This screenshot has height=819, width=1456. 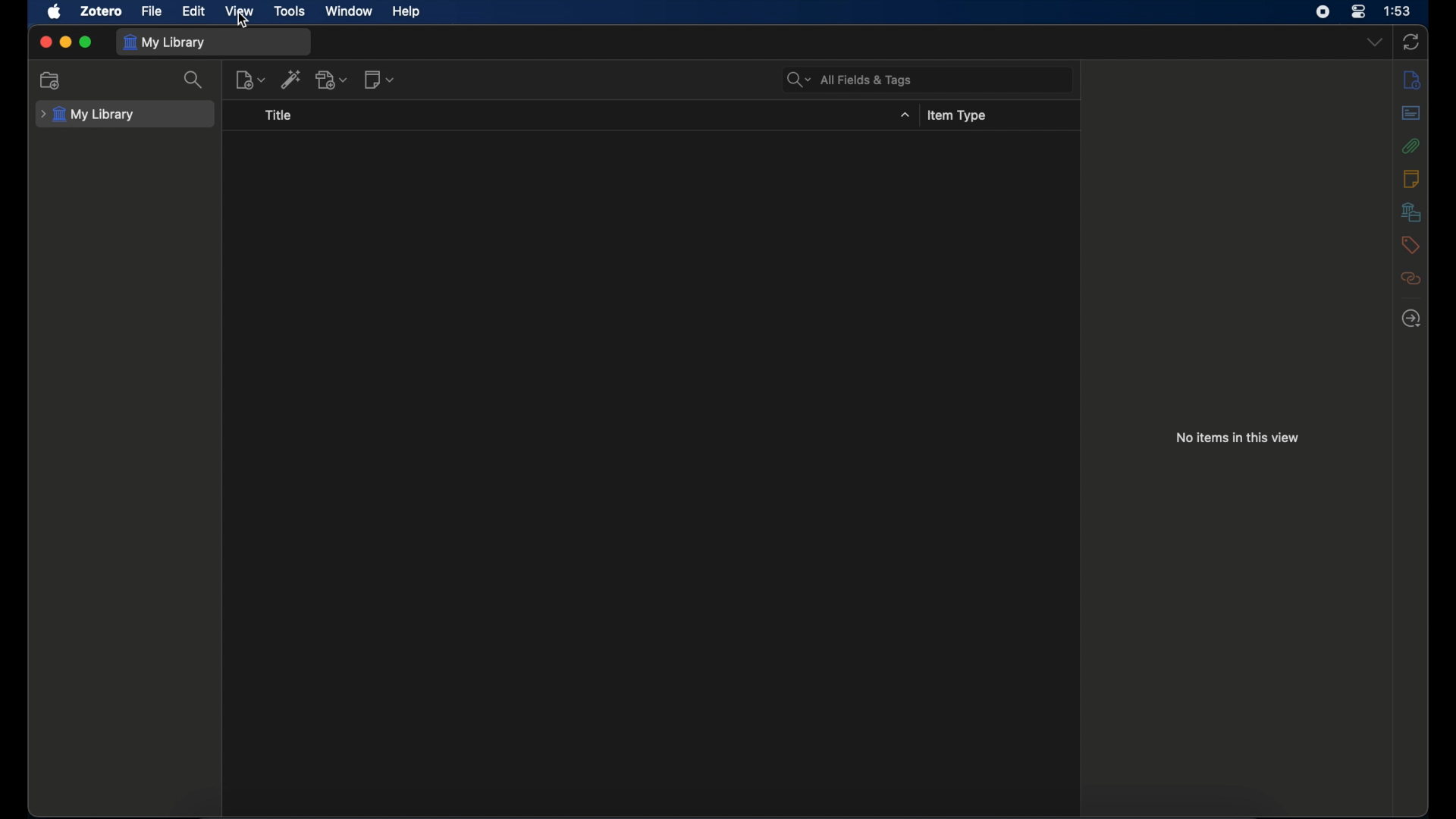 What do you see at coordinates (905, 115) in the screenshot?
I see `dropdown` at bounding box center [905, 115].